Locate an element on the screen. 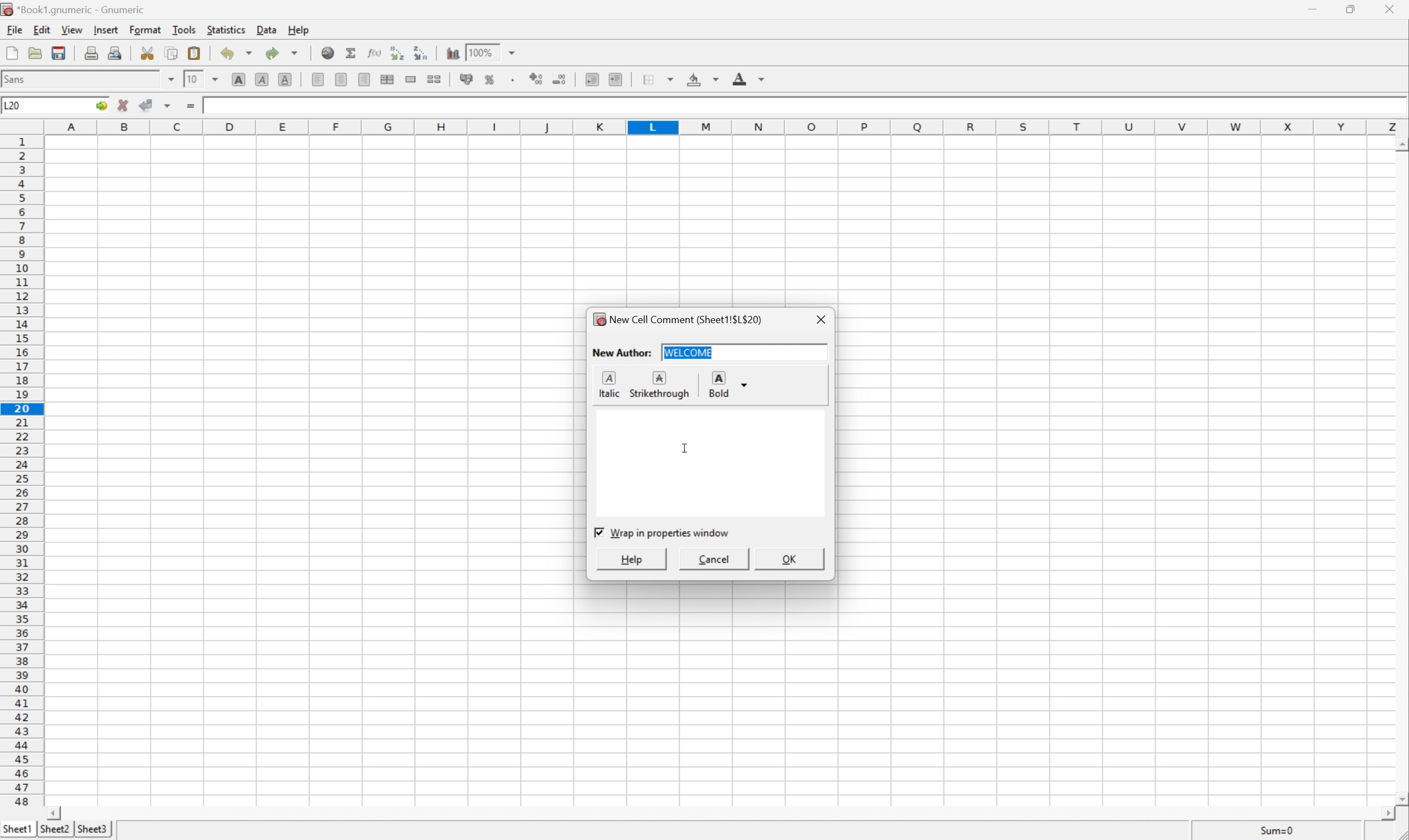  Sort the selected region in descending order based on the first column selected is located at coordinates (420, 52).